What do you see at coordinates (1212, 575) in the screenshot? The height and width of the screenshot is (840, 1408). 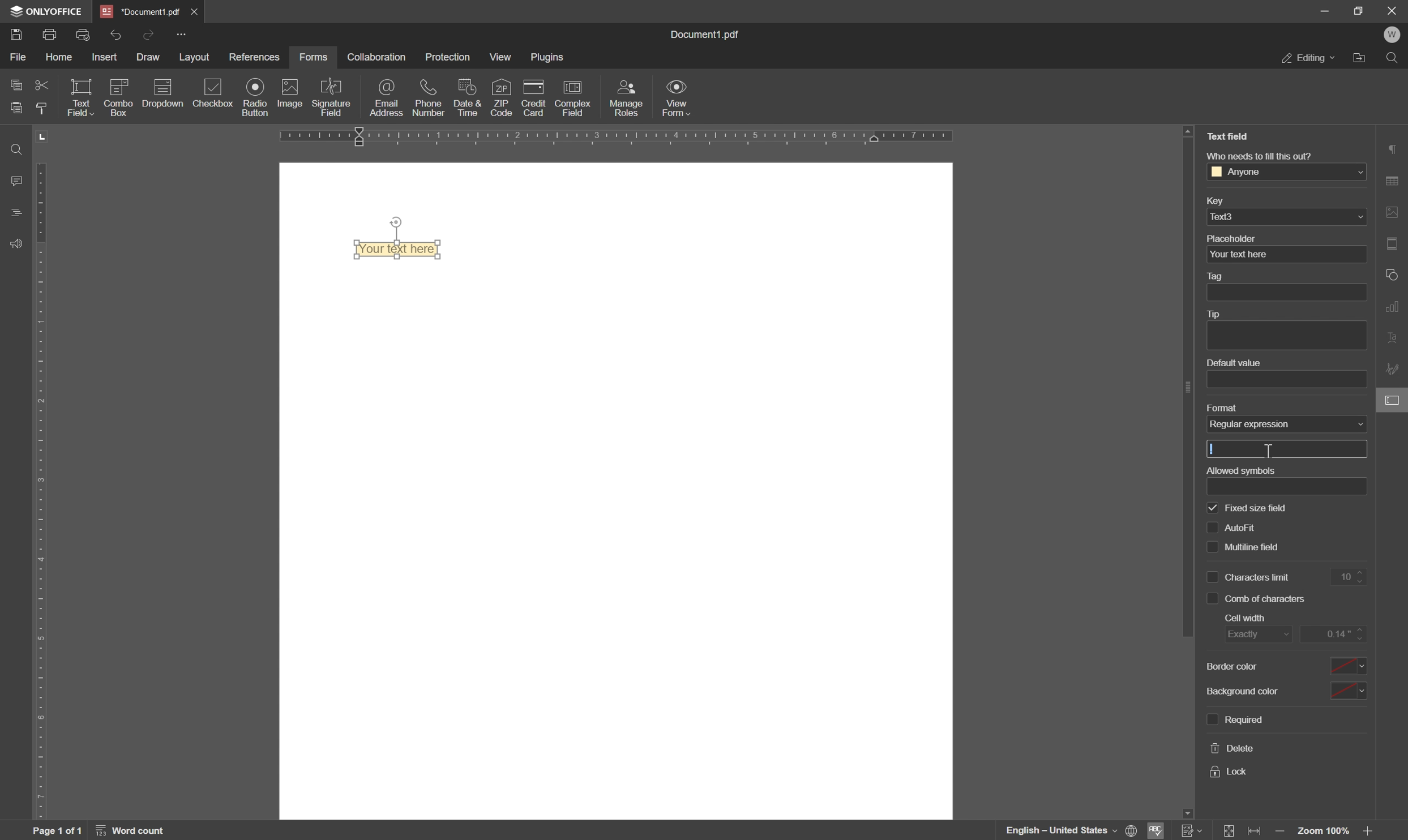 I see `checkbox` at bounding box center [1212, 575].